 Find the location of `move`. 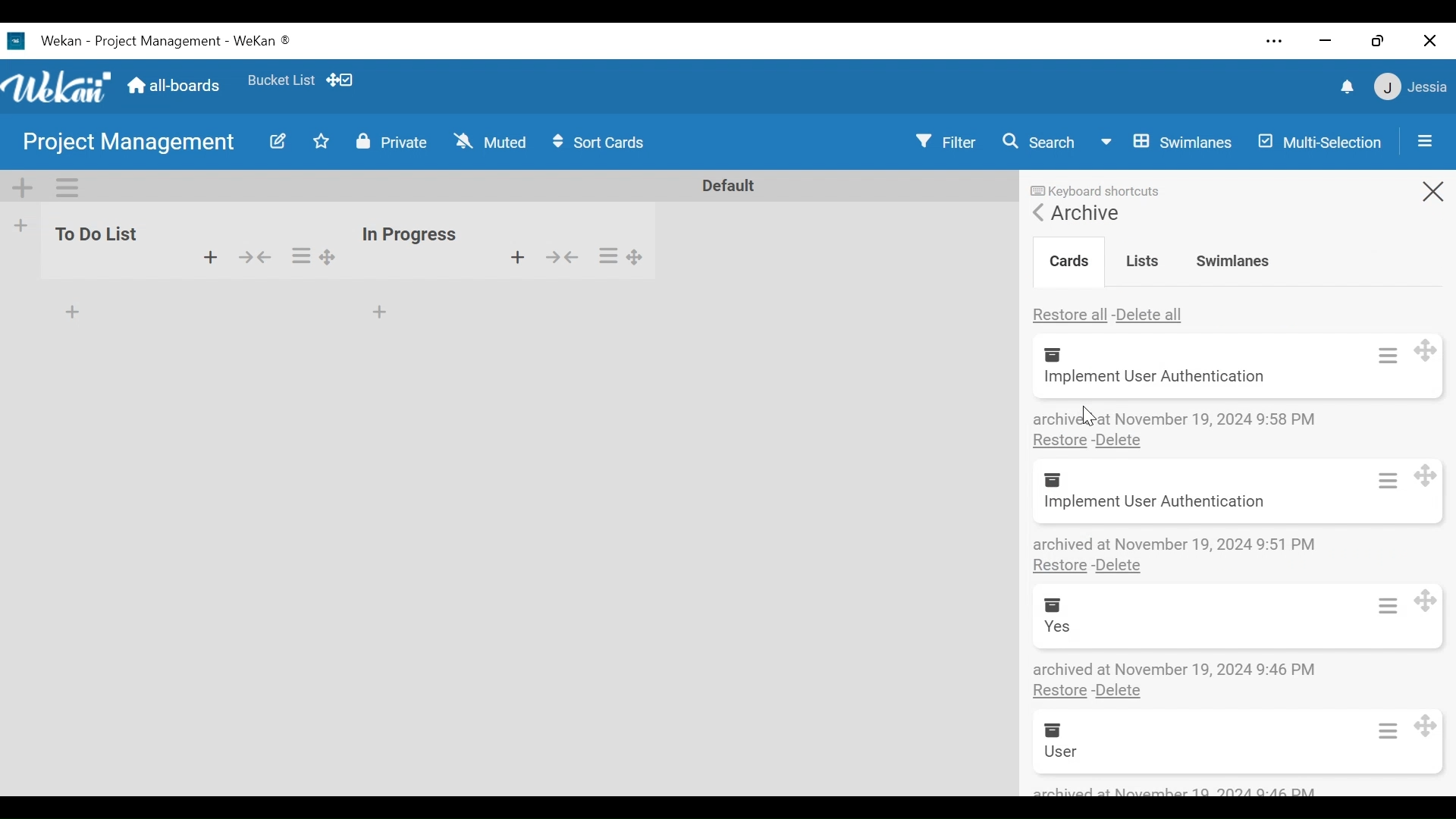

move is located at coordinates (1426, 353).